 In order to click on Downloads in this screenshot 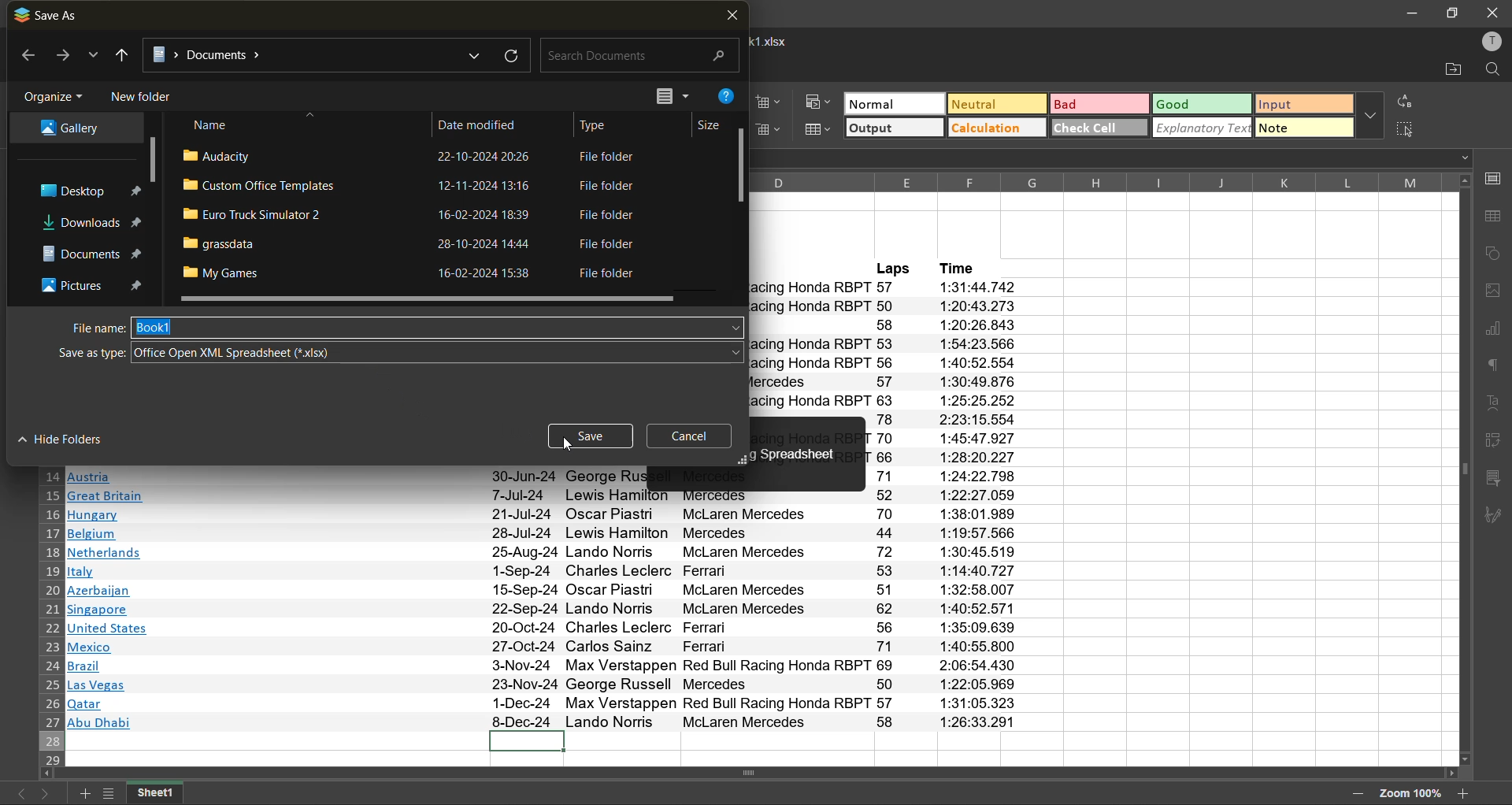, I will do `click(94, 221)`.